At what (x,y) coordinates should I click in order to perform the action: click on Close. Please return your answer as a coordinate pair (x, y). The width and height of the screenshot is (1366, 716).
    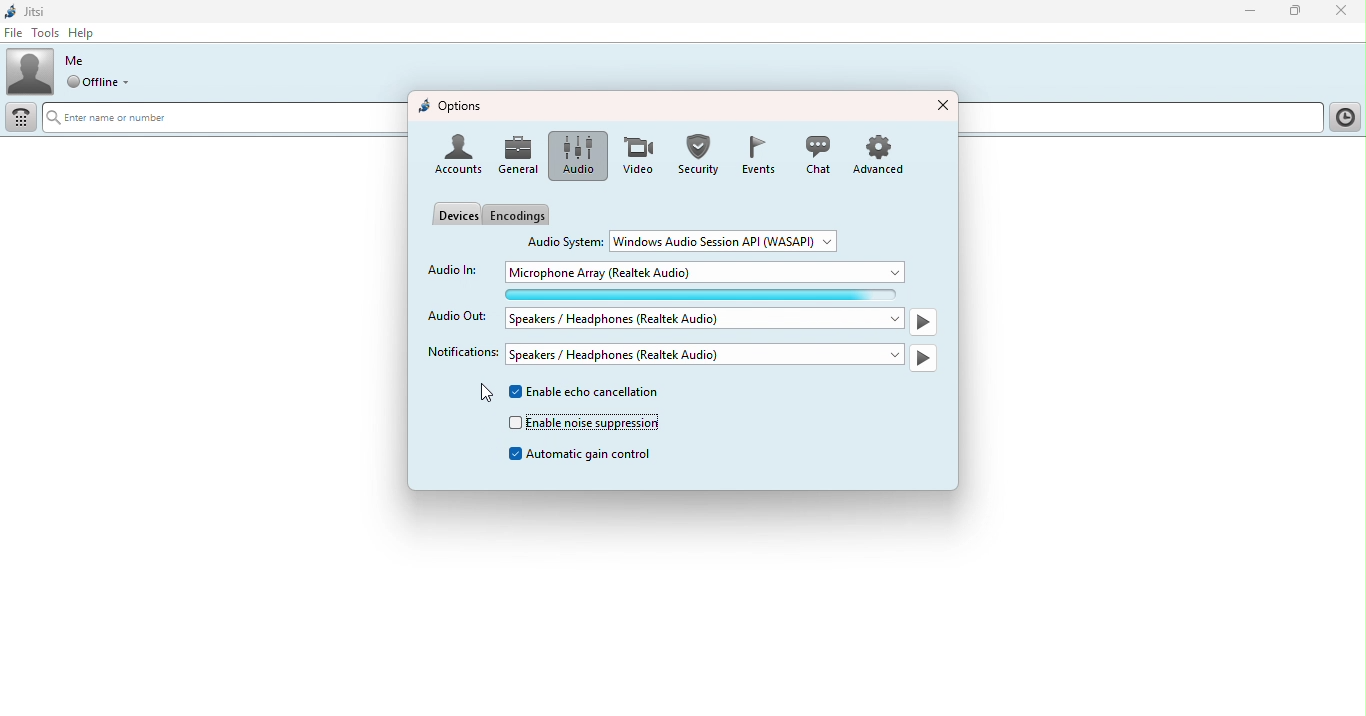
    Looking at the image, I should click on (1340, 12).